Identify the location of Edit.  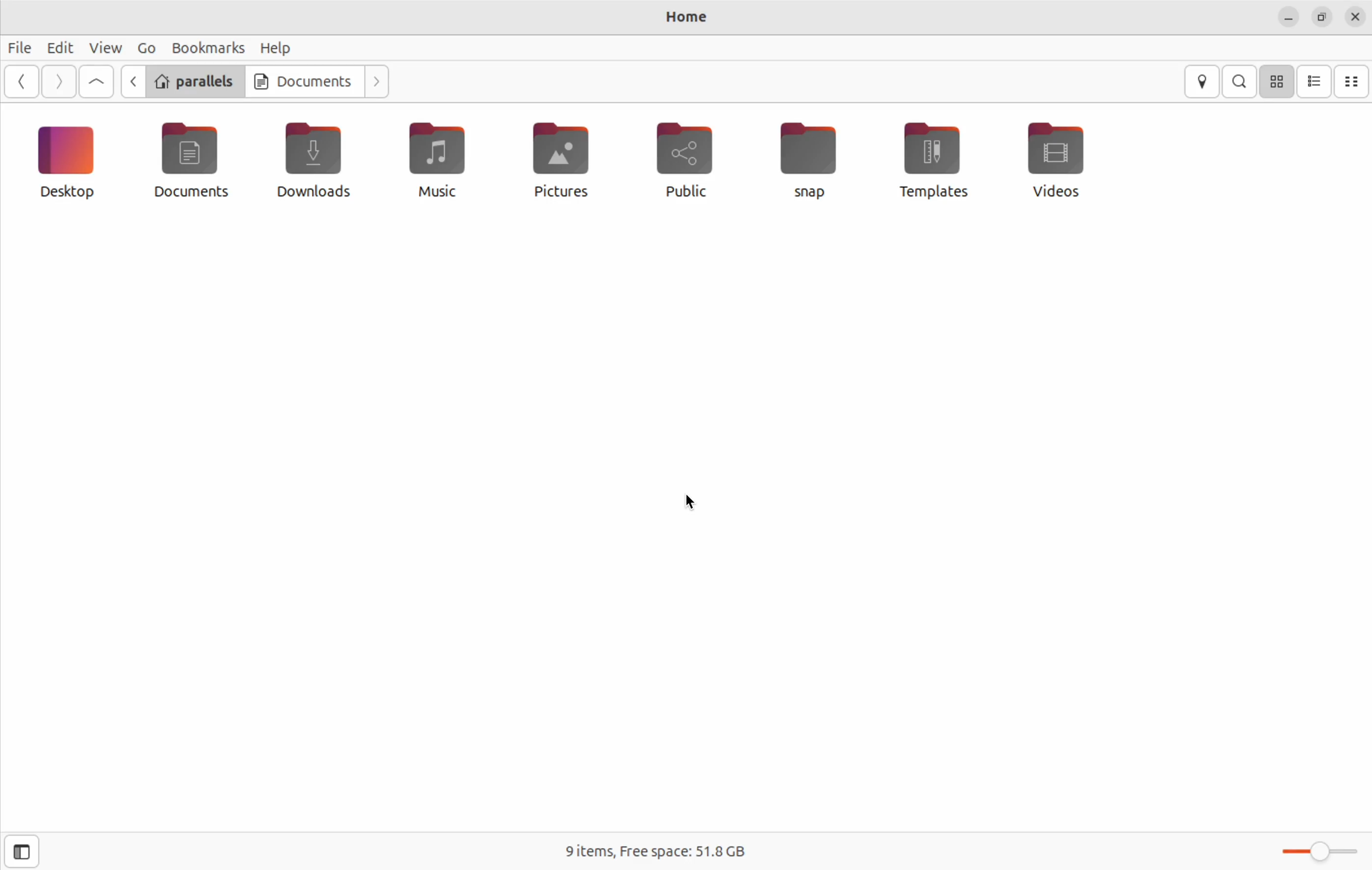
(59, 47).